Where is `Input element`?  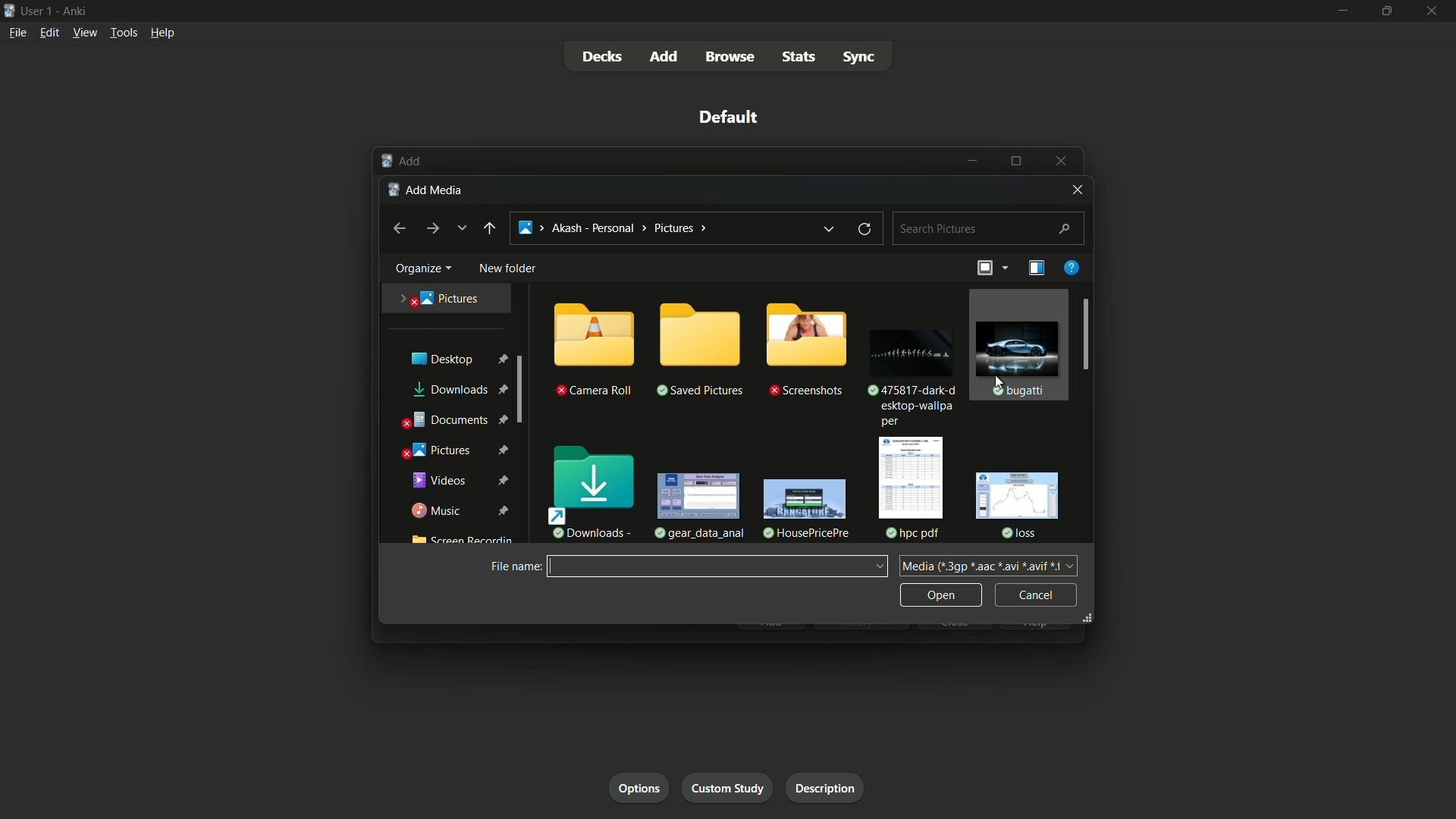 Input element is located at coordinates (717, 566).